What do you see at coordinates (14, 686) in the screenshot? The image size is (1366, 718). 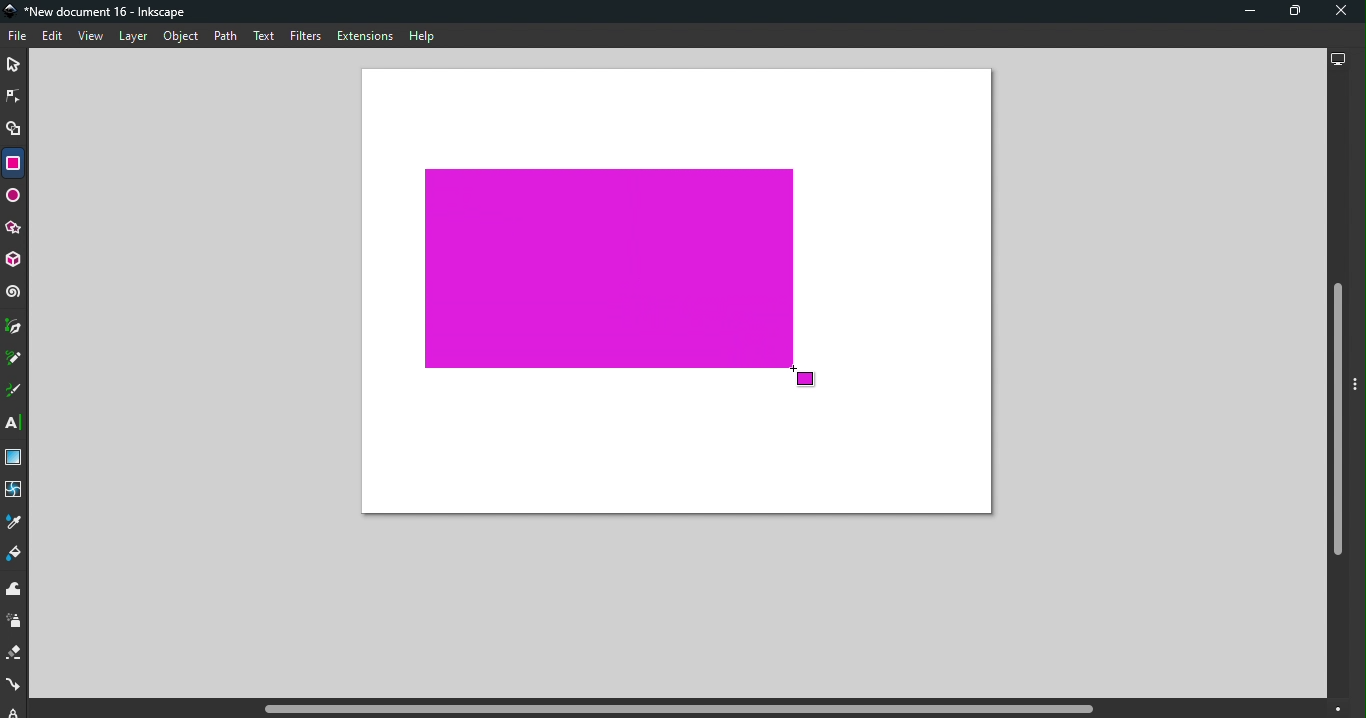 I see `Connector tool` at bounding box center [14, 686].